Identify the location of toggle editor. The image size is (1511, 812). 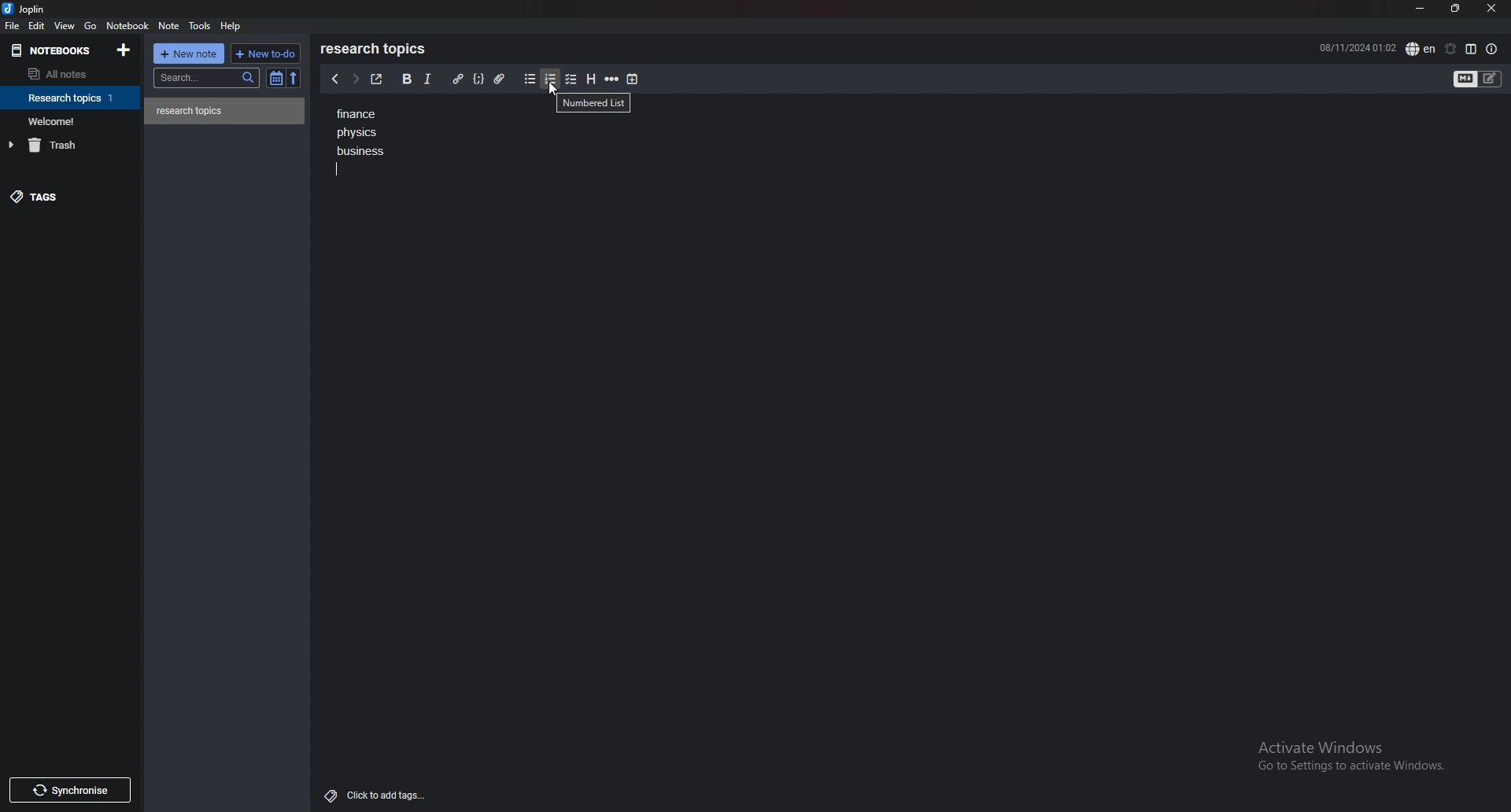
(1479, 79).